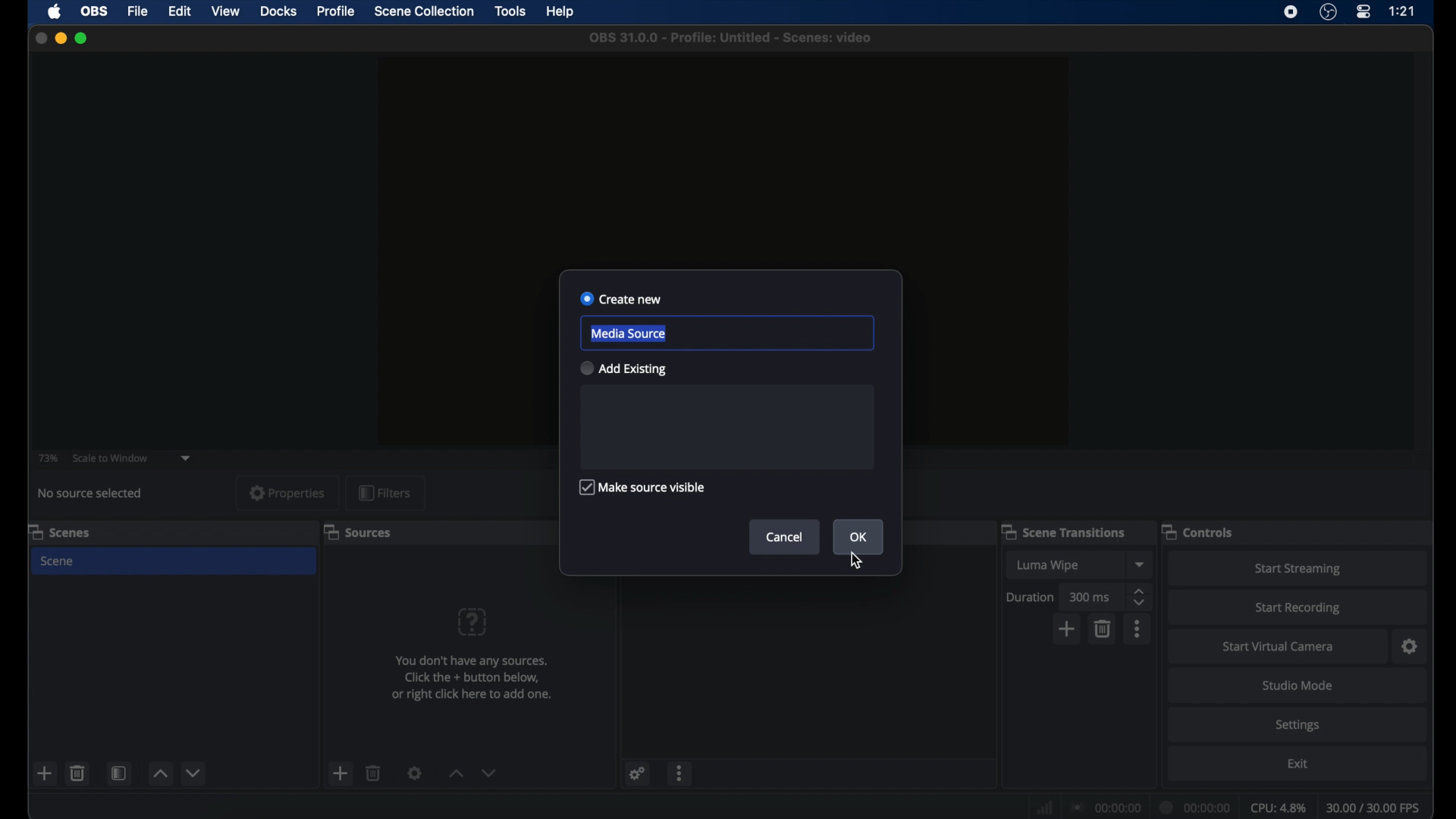 Image resolution: width=1456 pixels, height=819 pixels. What do you see at coordinates (1138, 629) in the screenshot?
I see `more options` at bounding box center [1138, 629].